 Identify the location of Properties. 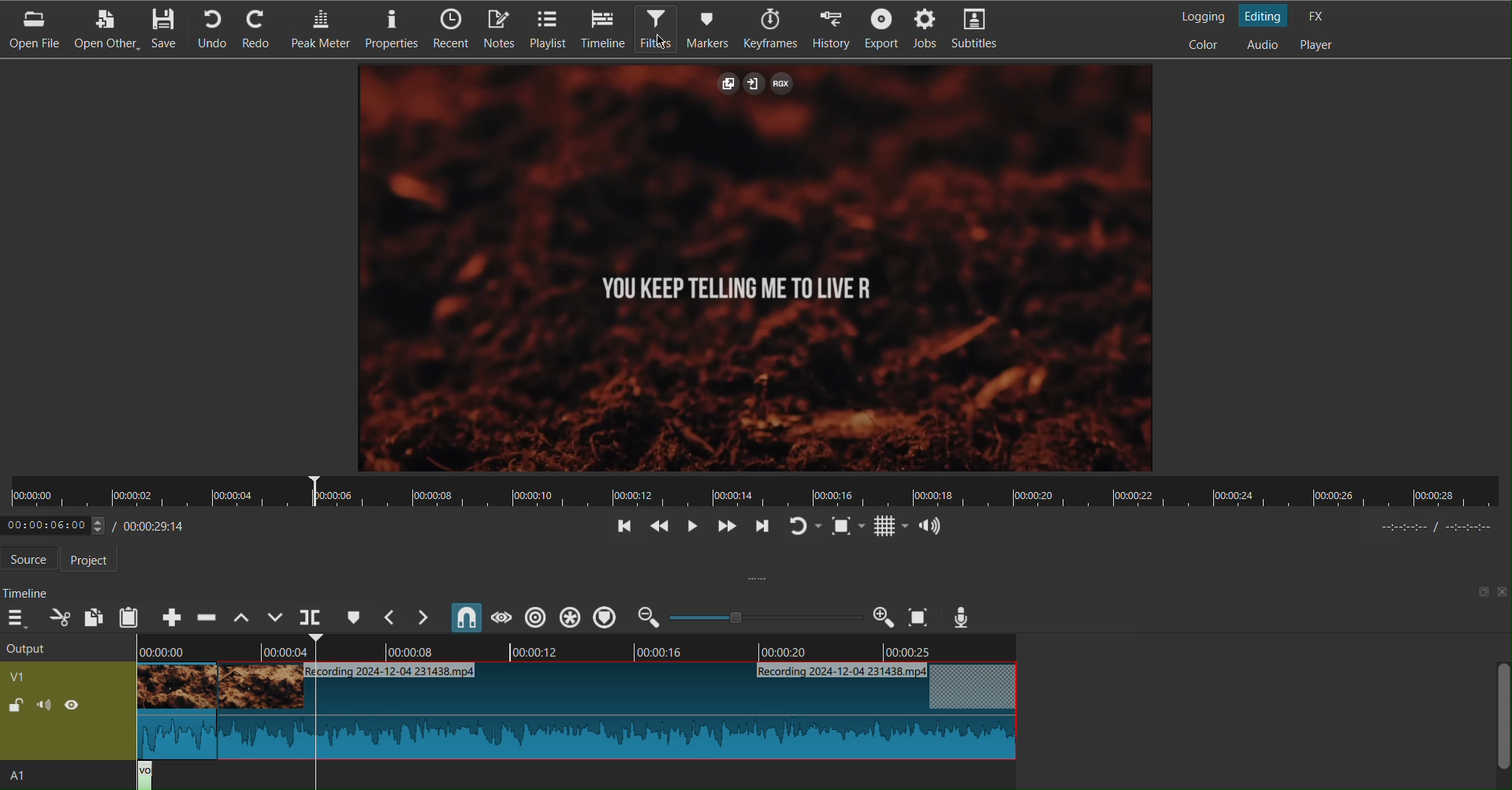
(395, 29).